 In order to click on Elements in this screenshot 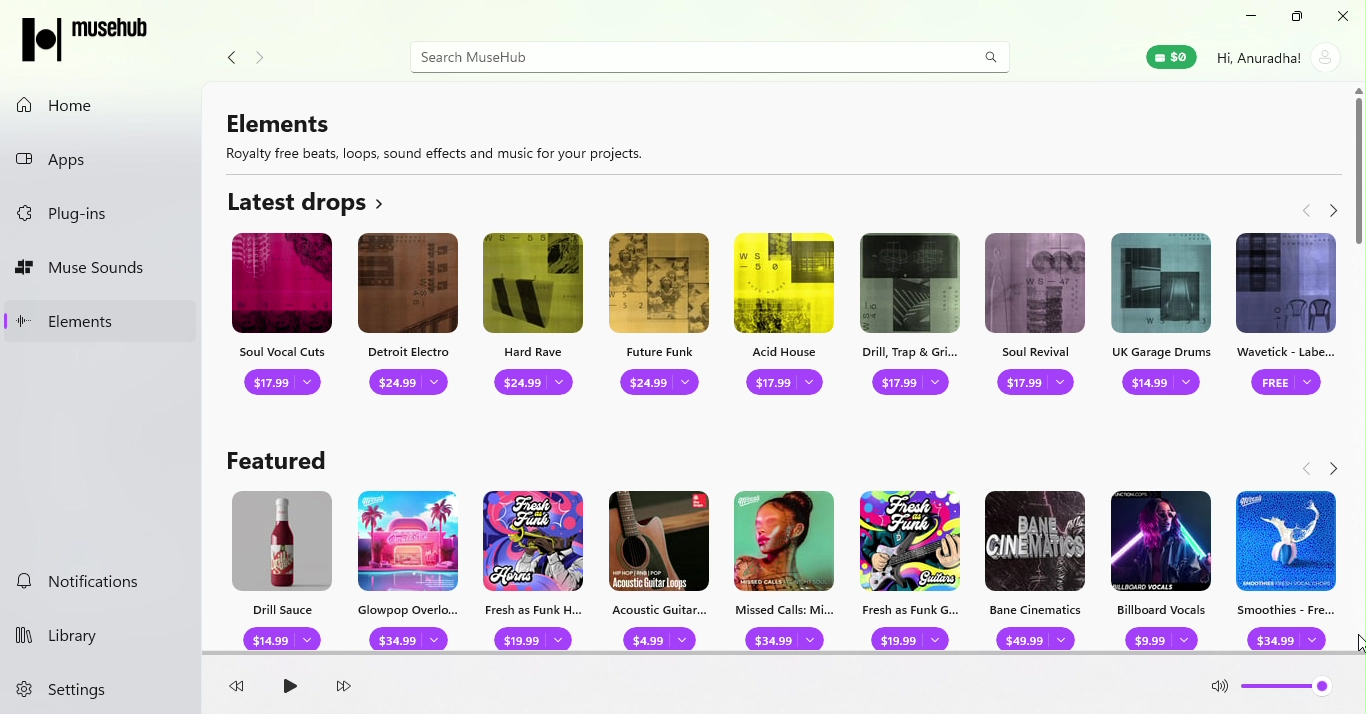, I will do `click(102, 320)`.